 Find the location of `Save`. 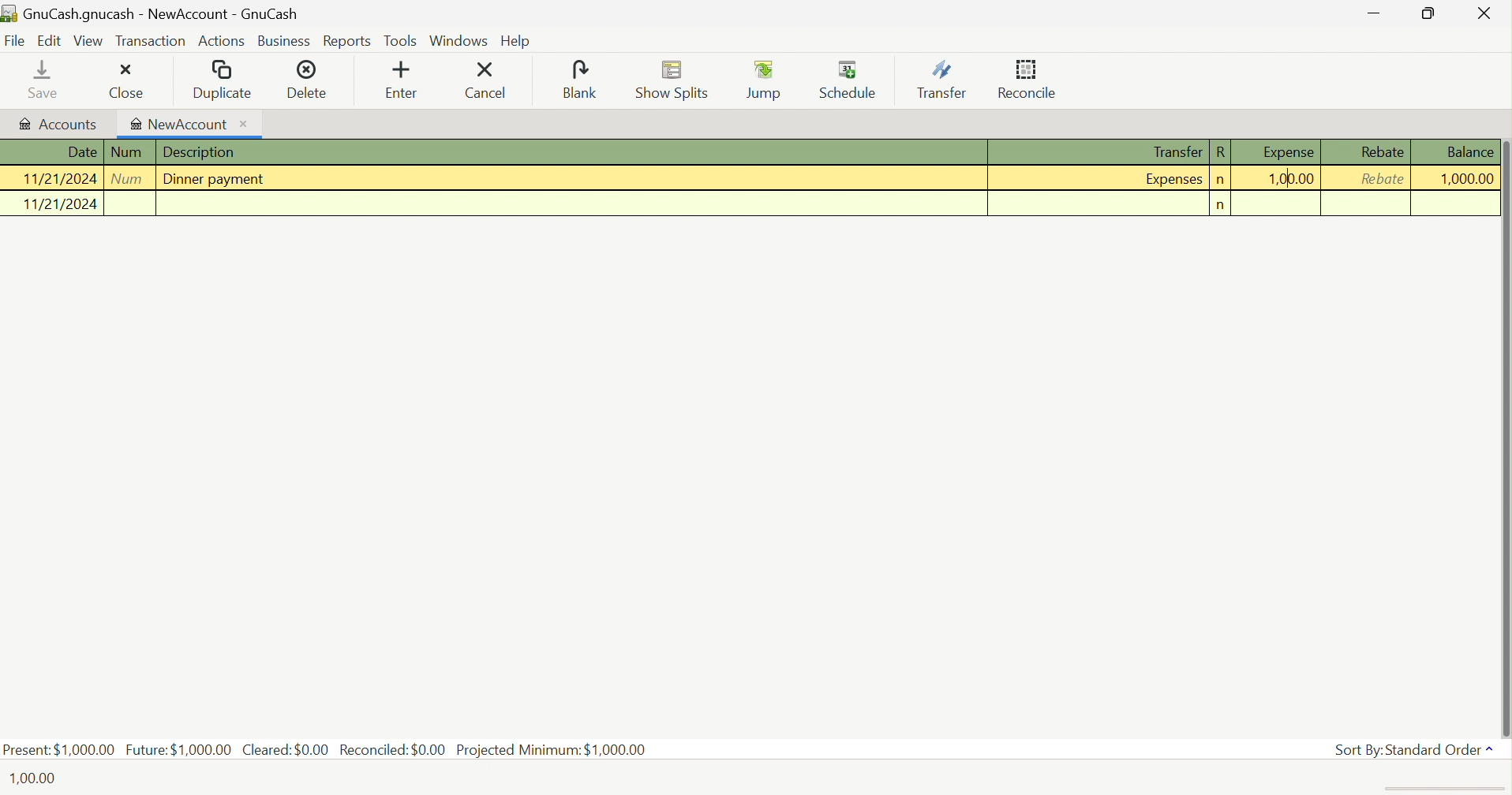

Save is located at coordinates (32, 79).